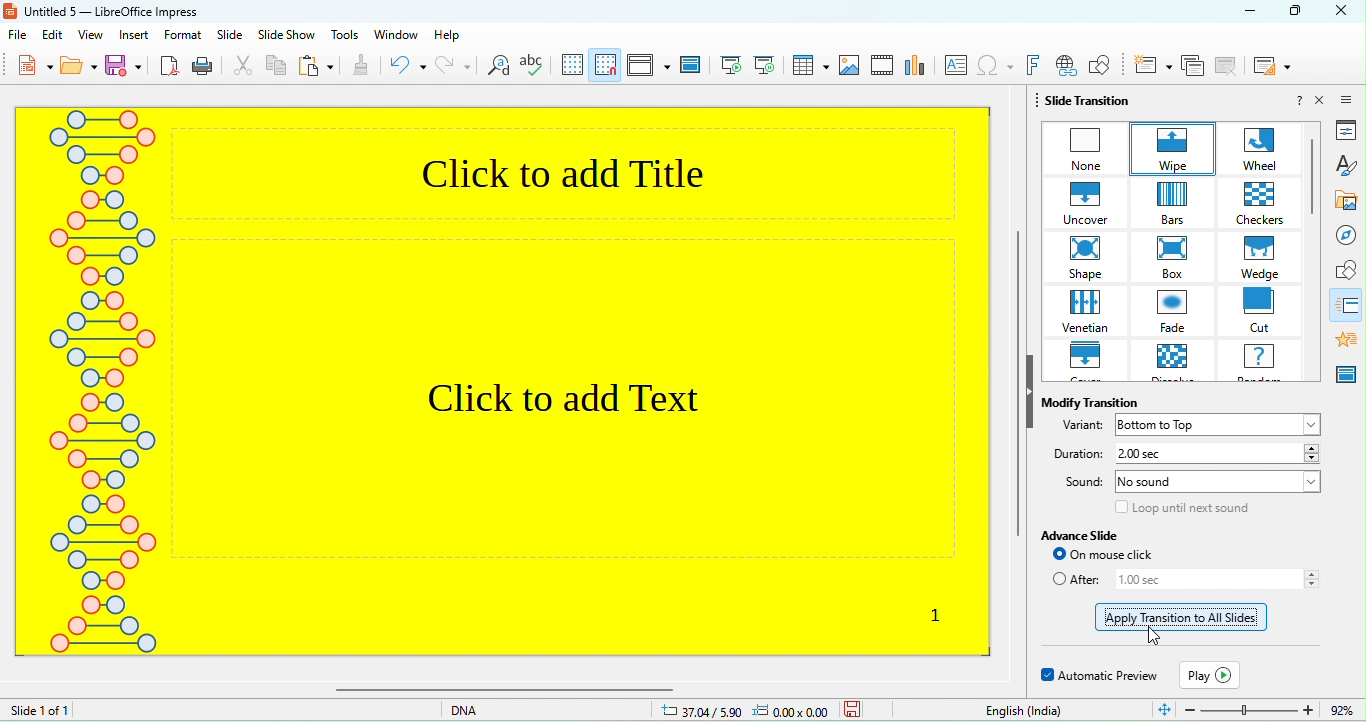 This screenshot has height=722, width=1366. What do you see at coordinates (1300, 10) in the screenshot?
I see `maximize` at bounding box center [1300, 10].